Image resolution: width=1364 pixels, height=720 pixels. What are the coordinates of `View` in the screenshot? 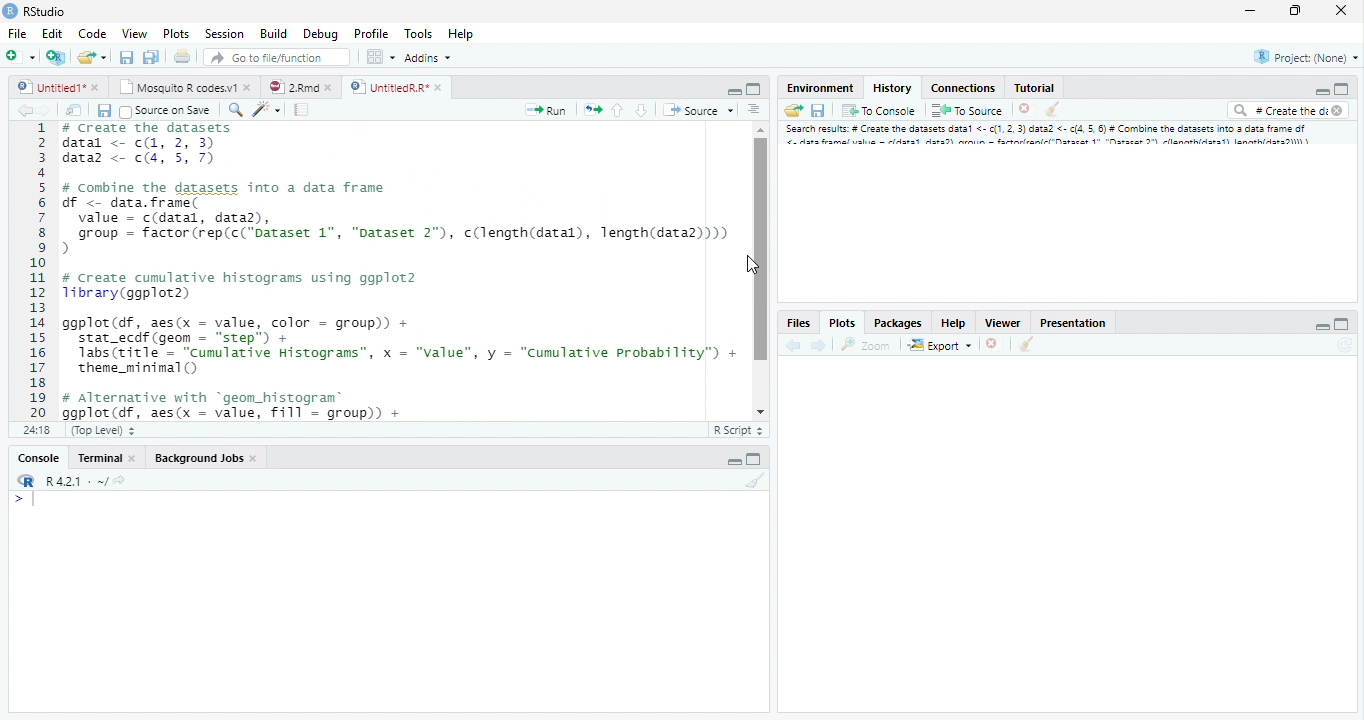 It's located at (133, 35).